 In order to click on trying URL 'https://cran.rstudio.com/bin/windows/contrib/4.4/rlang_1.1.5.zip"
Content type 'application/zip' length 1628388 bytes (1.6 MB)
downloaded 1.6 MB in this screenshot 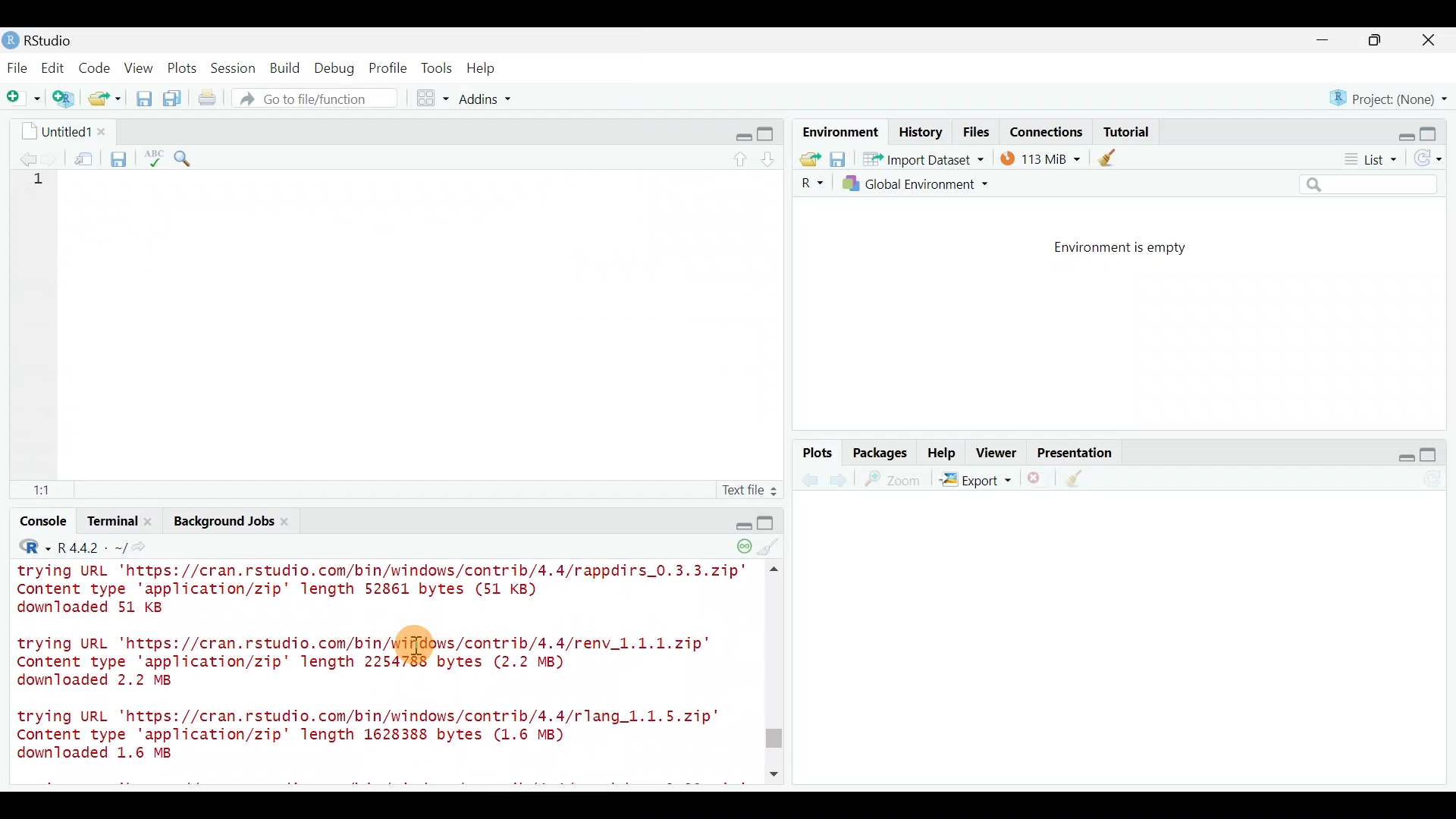, I will do `click(367, 738)`.